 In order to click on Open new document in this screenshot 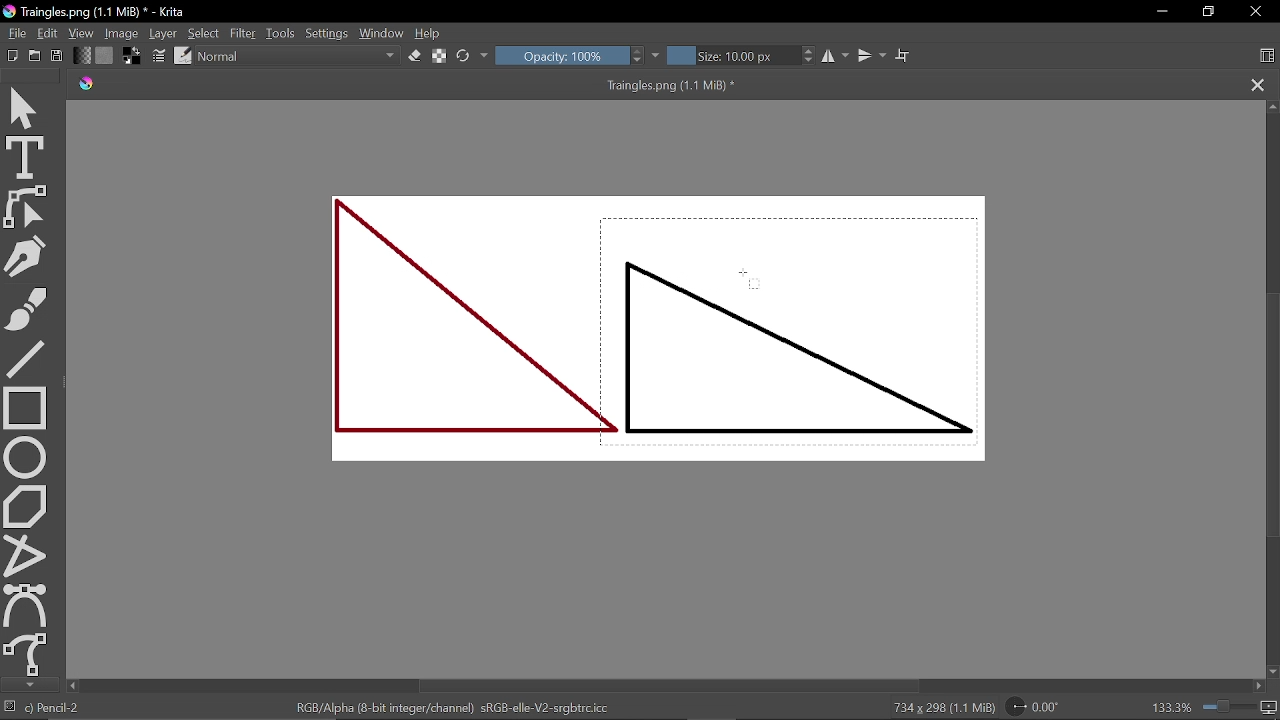, I will do `click(35, 56)`.